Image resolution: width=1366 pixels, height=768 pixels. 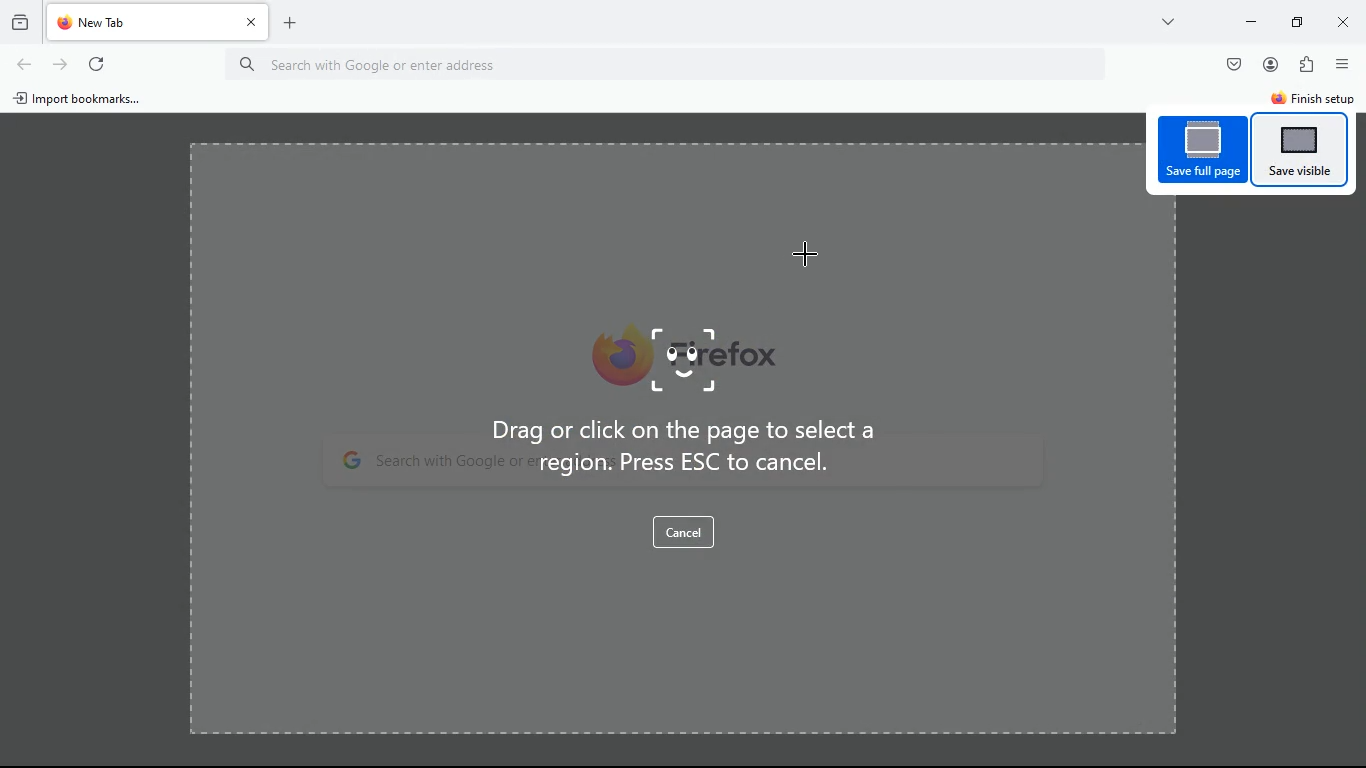 What do you see at coordinates (59, 64) in the screenshot?
I see `refresh` at bounding box center [59, 64].